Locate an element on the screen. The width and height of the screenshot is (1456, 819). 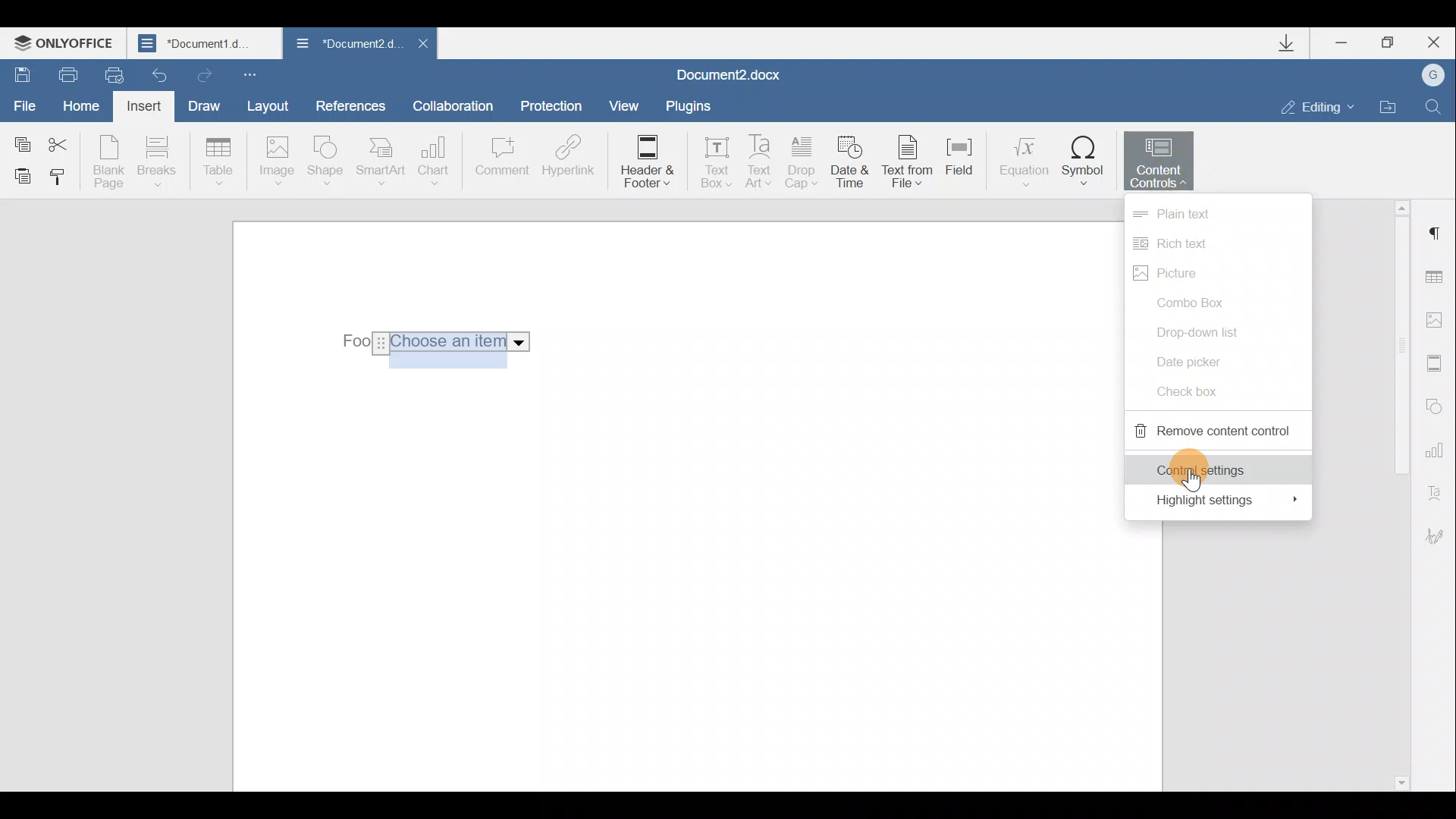
Shapes settings is located at coordinates (1435, 404).